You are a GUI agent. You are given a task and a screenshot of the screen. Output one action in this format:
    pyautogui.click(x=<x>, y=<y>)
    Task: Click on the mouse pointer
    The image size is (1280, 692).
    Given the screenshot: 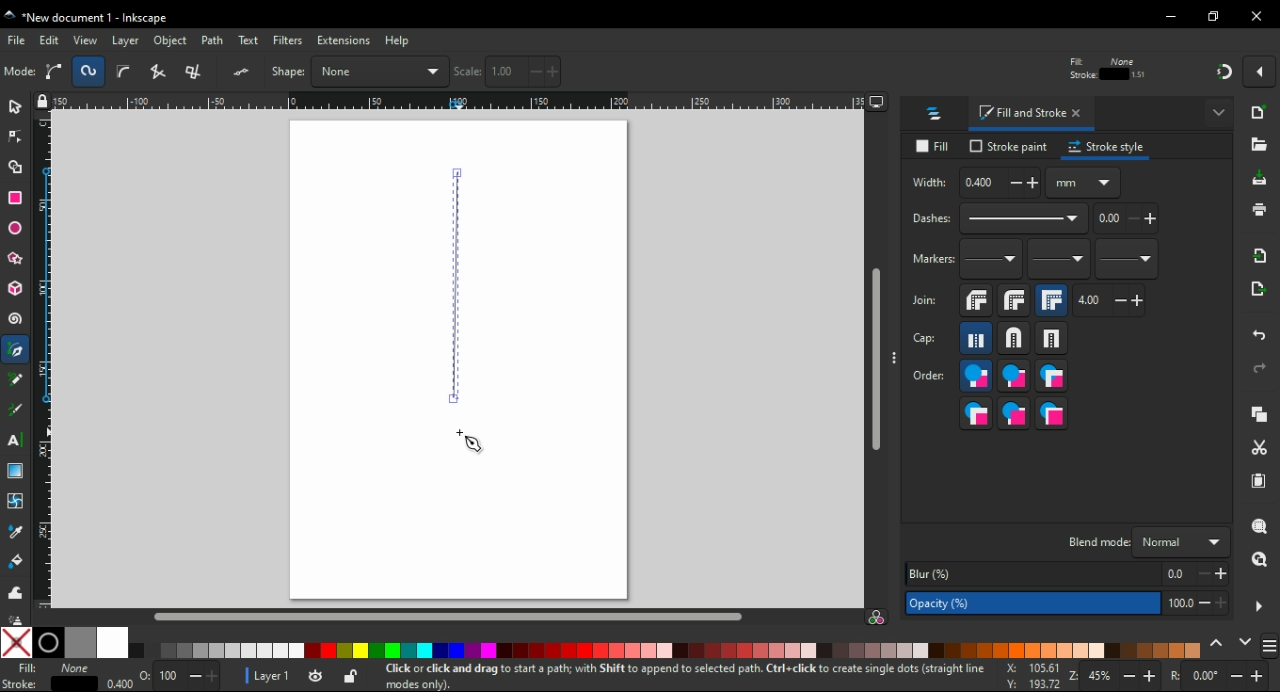 What is the action you would take?
    pyautogui.click(x=472, y=443)
    